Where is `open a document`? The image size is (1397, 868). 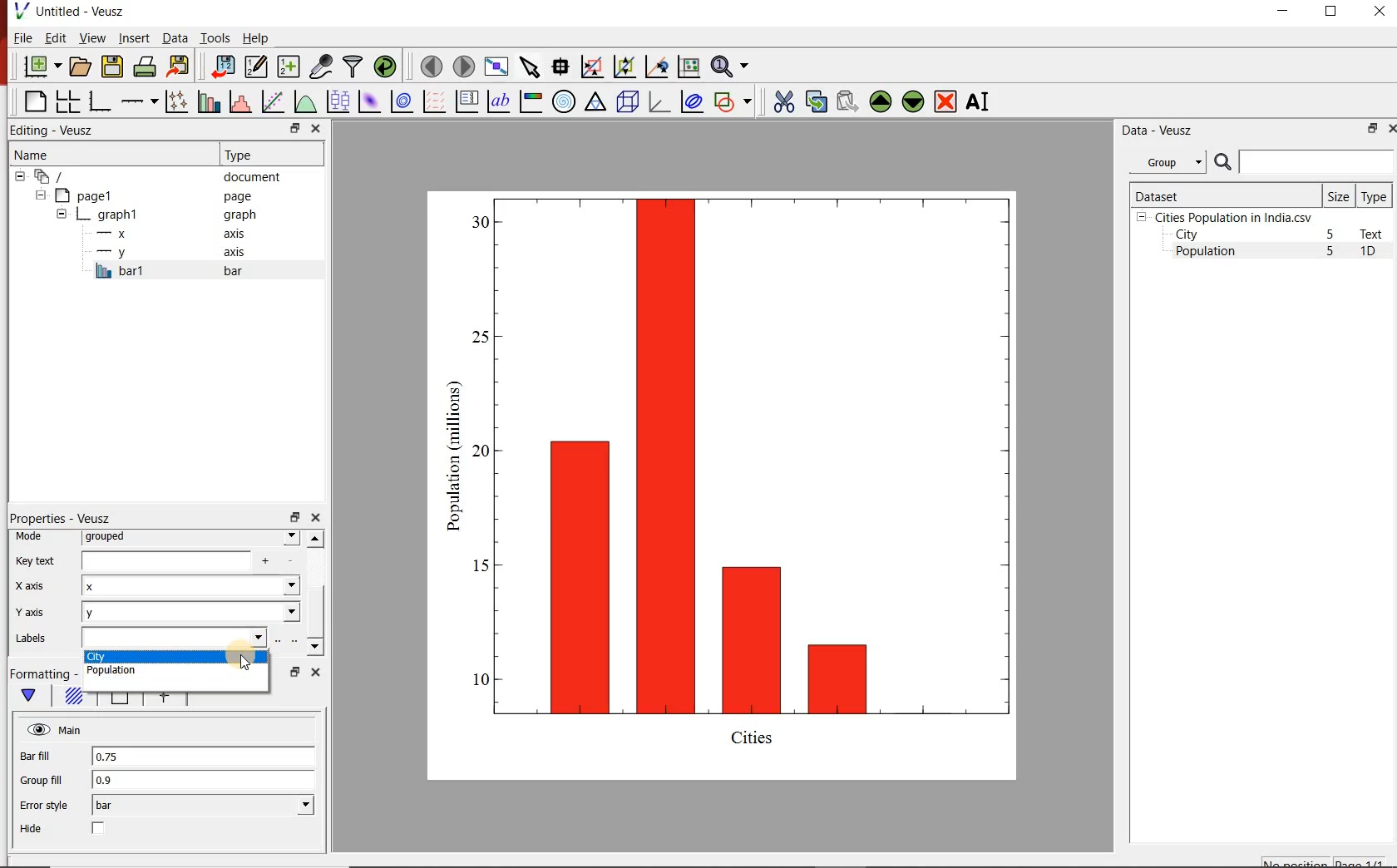
open a document is located at coordinates (79, 67).